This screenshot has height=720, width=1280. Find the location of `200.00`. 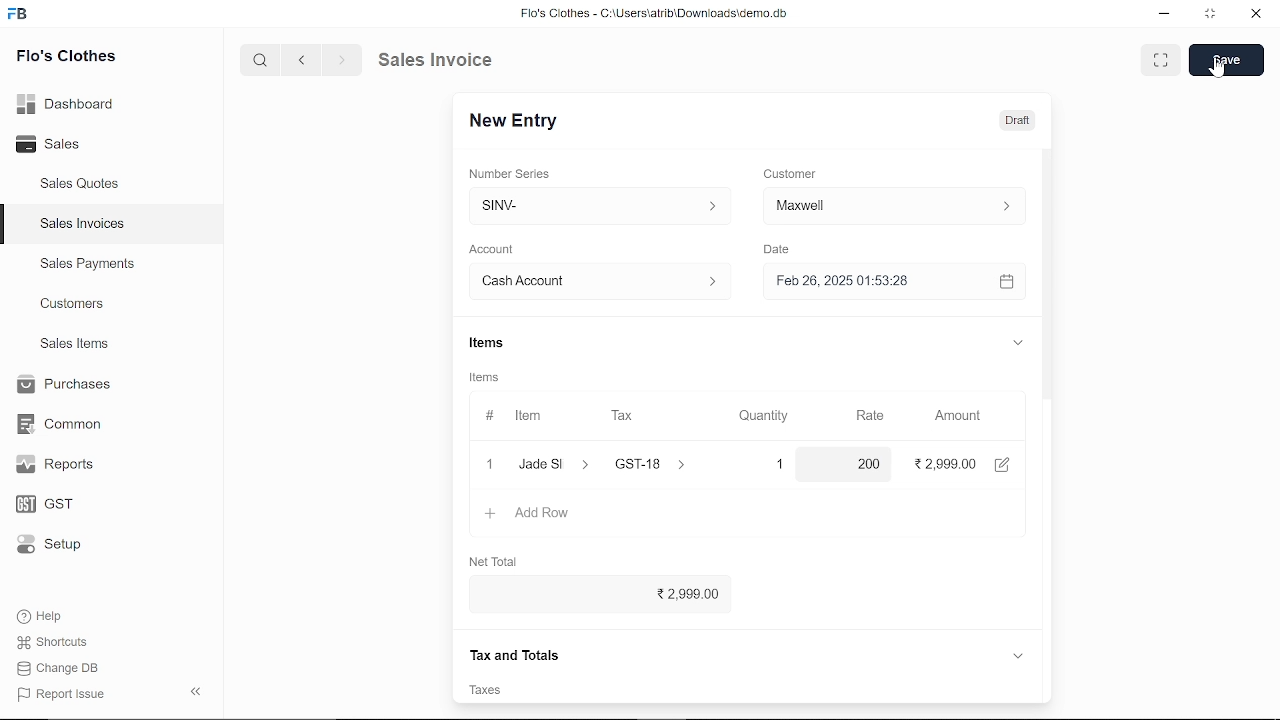

200.00 is located at coordinates (847, 464).